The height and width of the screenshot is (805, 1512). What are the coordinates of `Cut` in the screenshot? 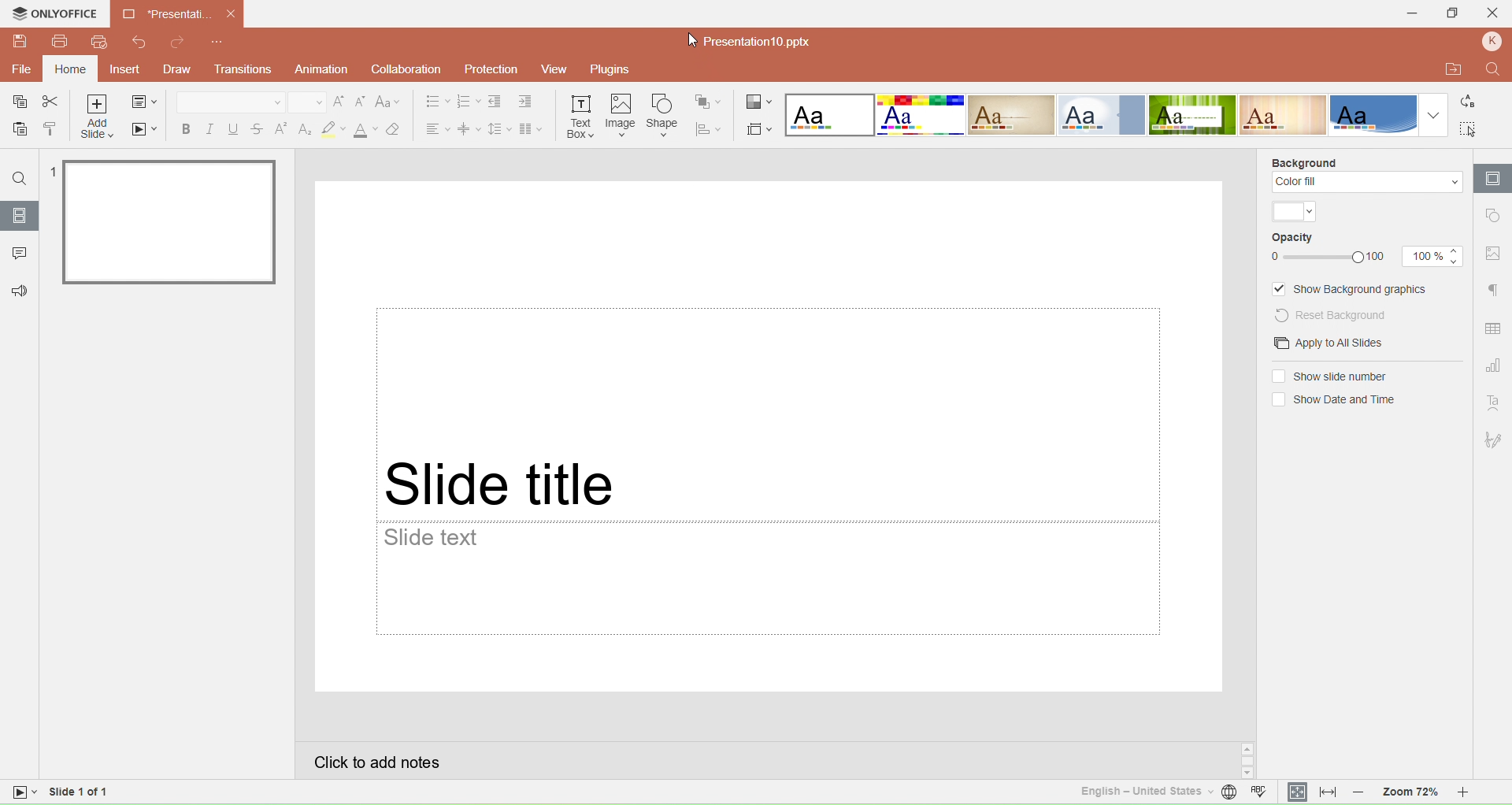 It's located at (51, 102).